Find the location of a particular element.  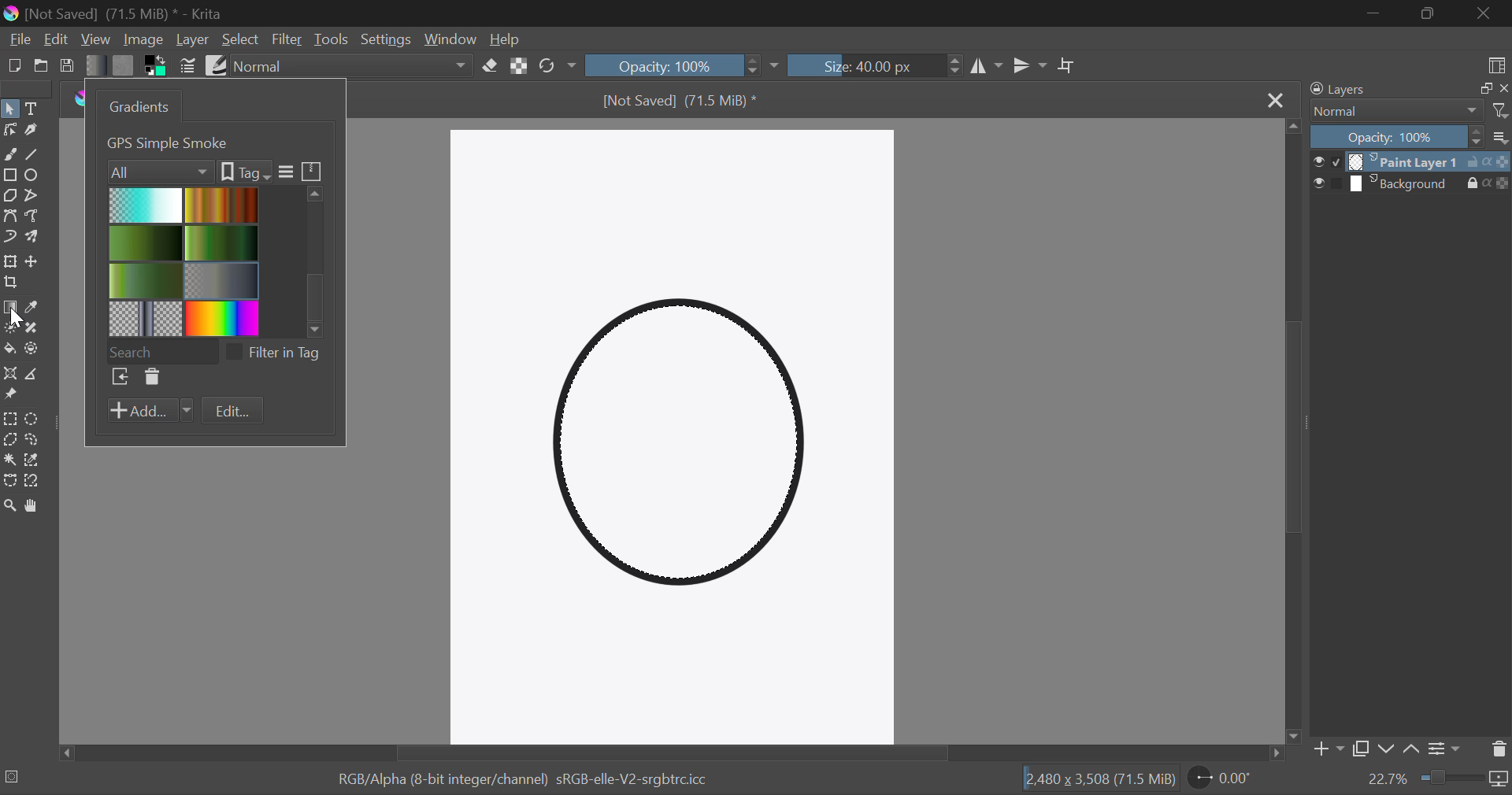

Edit Shapes is located at coordinates (9, 131).